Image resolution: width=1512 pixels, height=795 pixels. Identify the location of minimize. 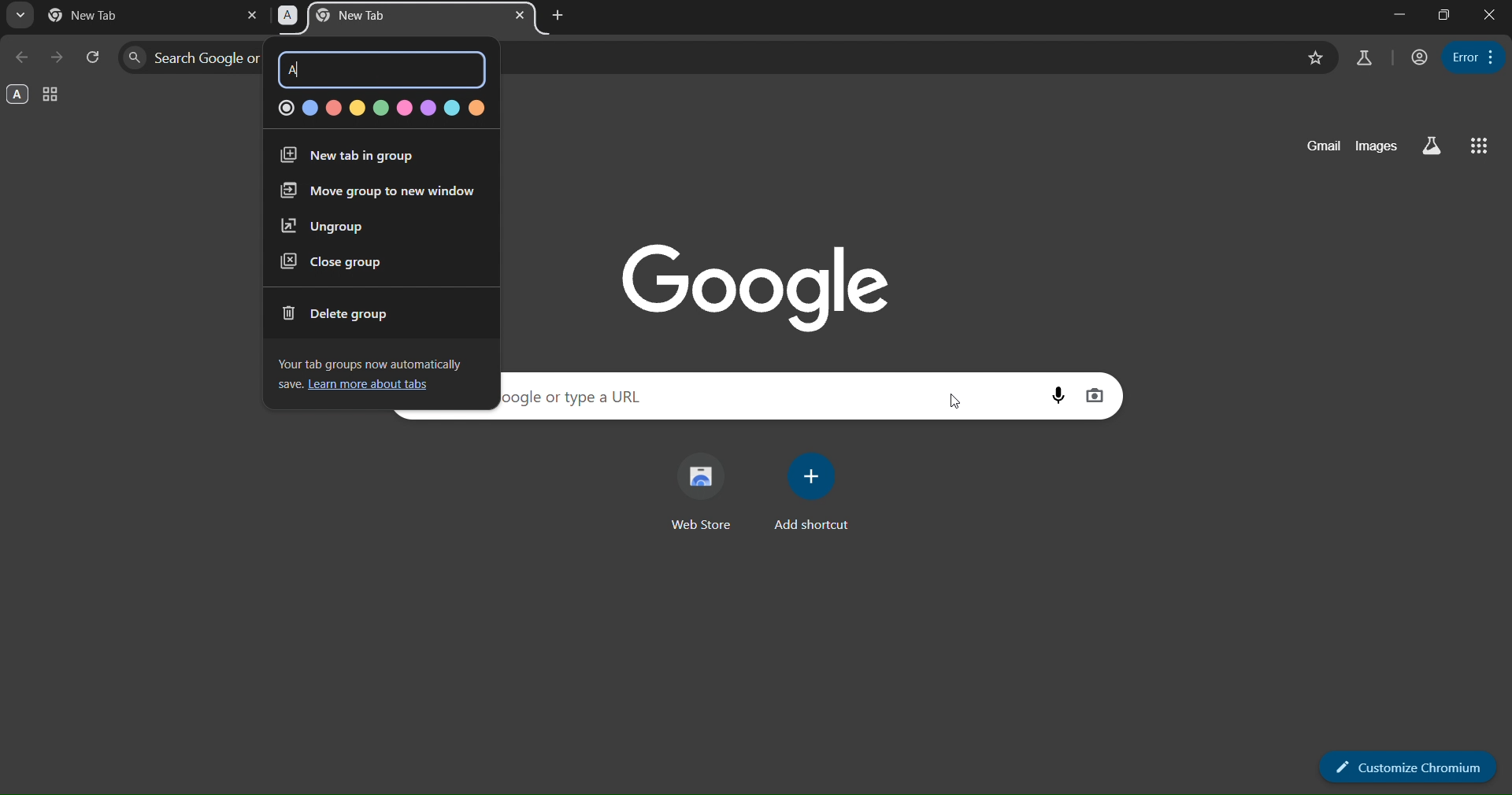
(1400, 14).